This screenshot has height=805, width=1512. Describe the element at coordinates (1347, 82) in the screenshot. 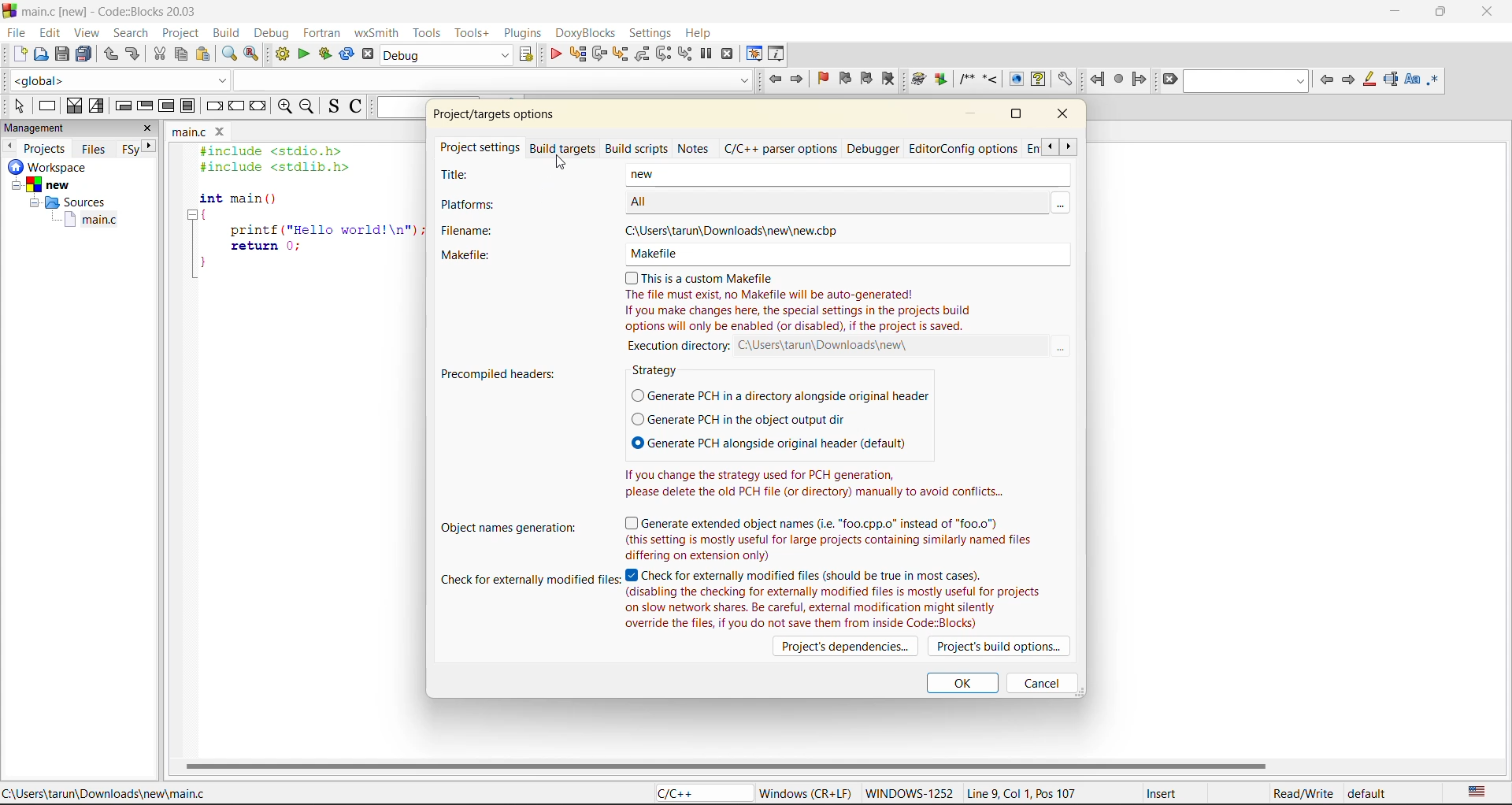

I see `next` at that location.